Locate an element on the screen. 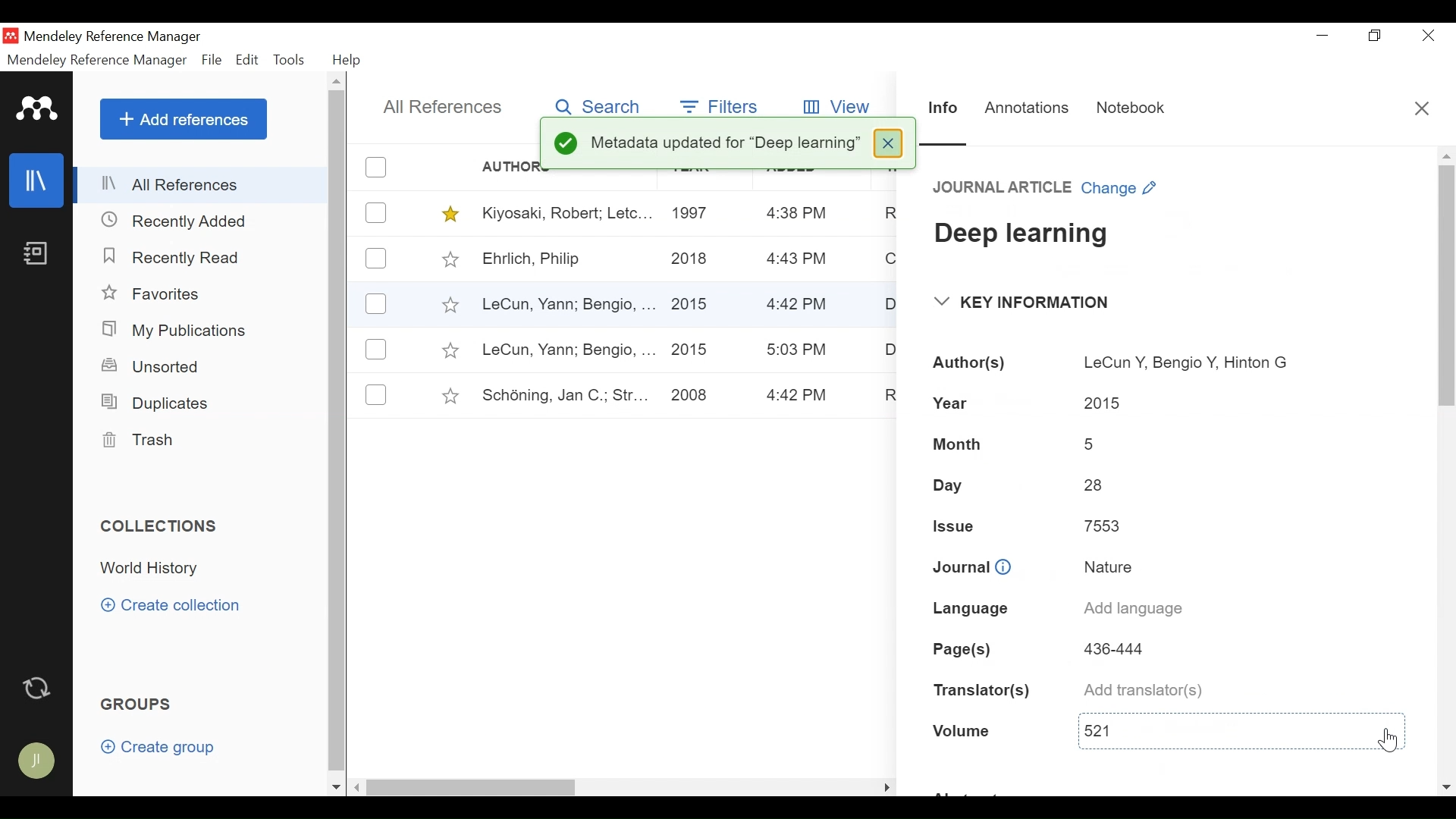 The image size is (1456, 819). 2015 is located at coordinates (1102, 402).